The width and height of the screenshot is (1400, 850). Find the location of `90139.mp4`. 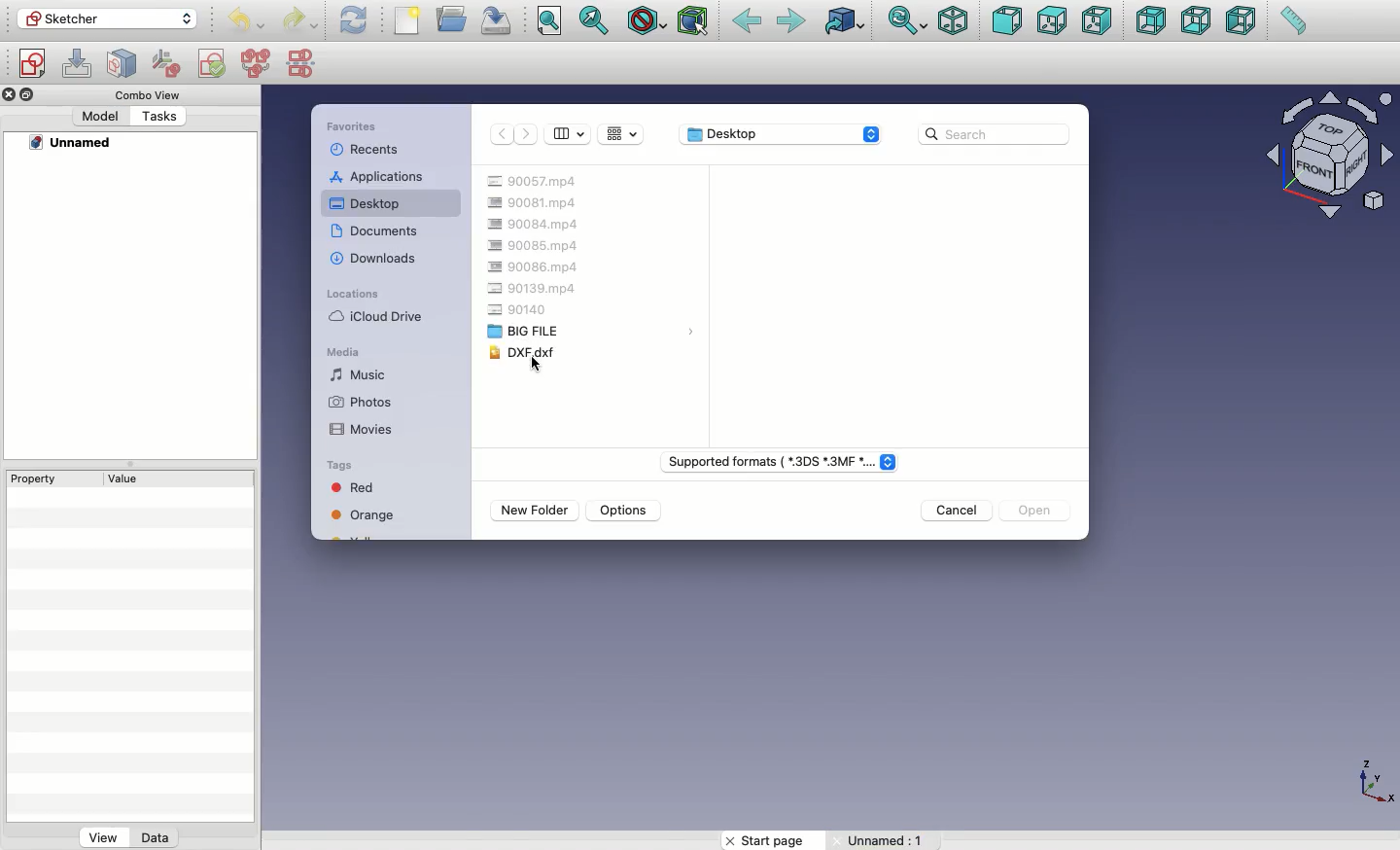

90139.mp4 is located at coordinates (534, 288).